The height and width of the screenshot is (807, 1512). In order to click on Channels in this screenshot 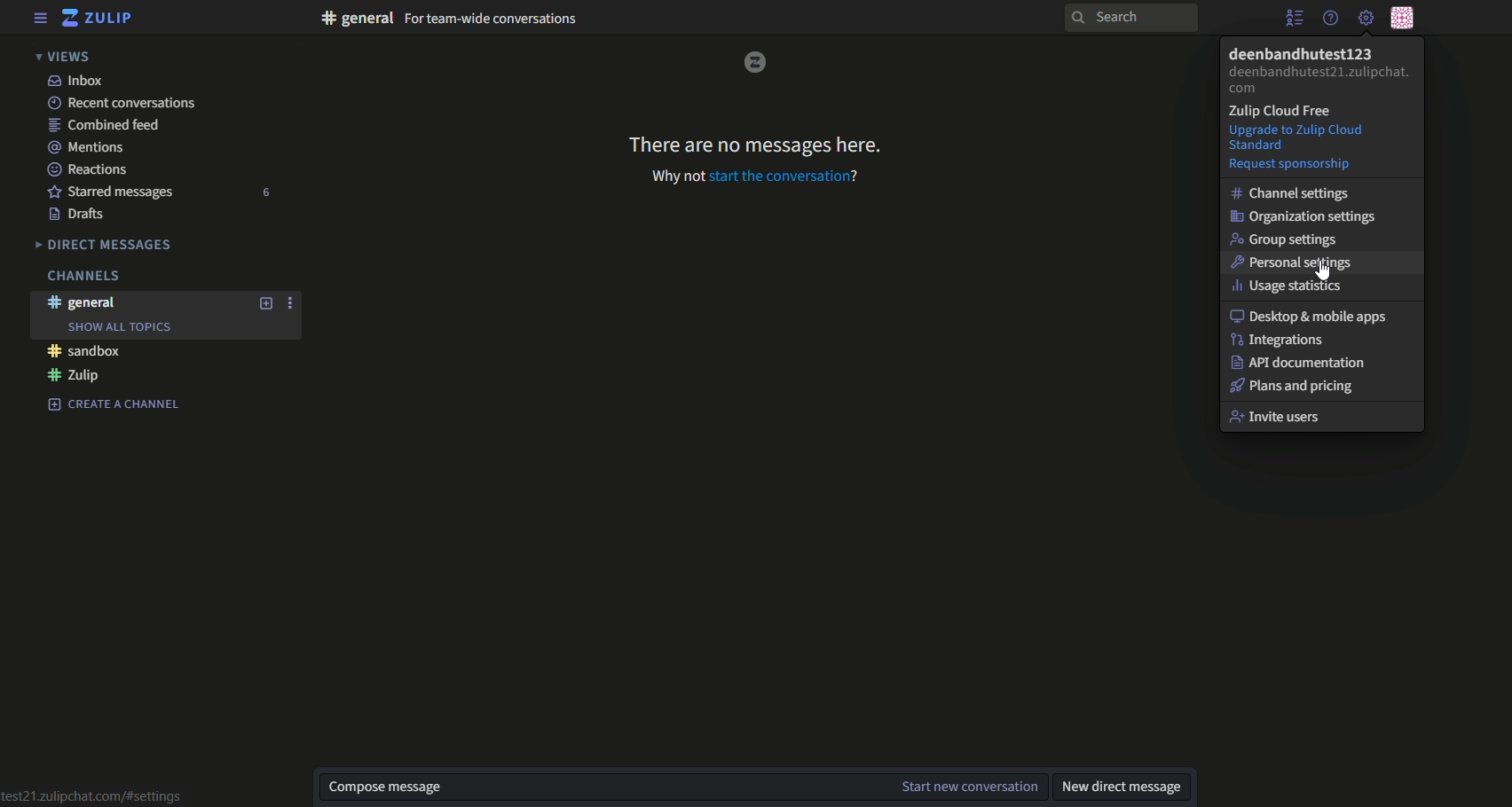, I will do `click(82, 276)`.